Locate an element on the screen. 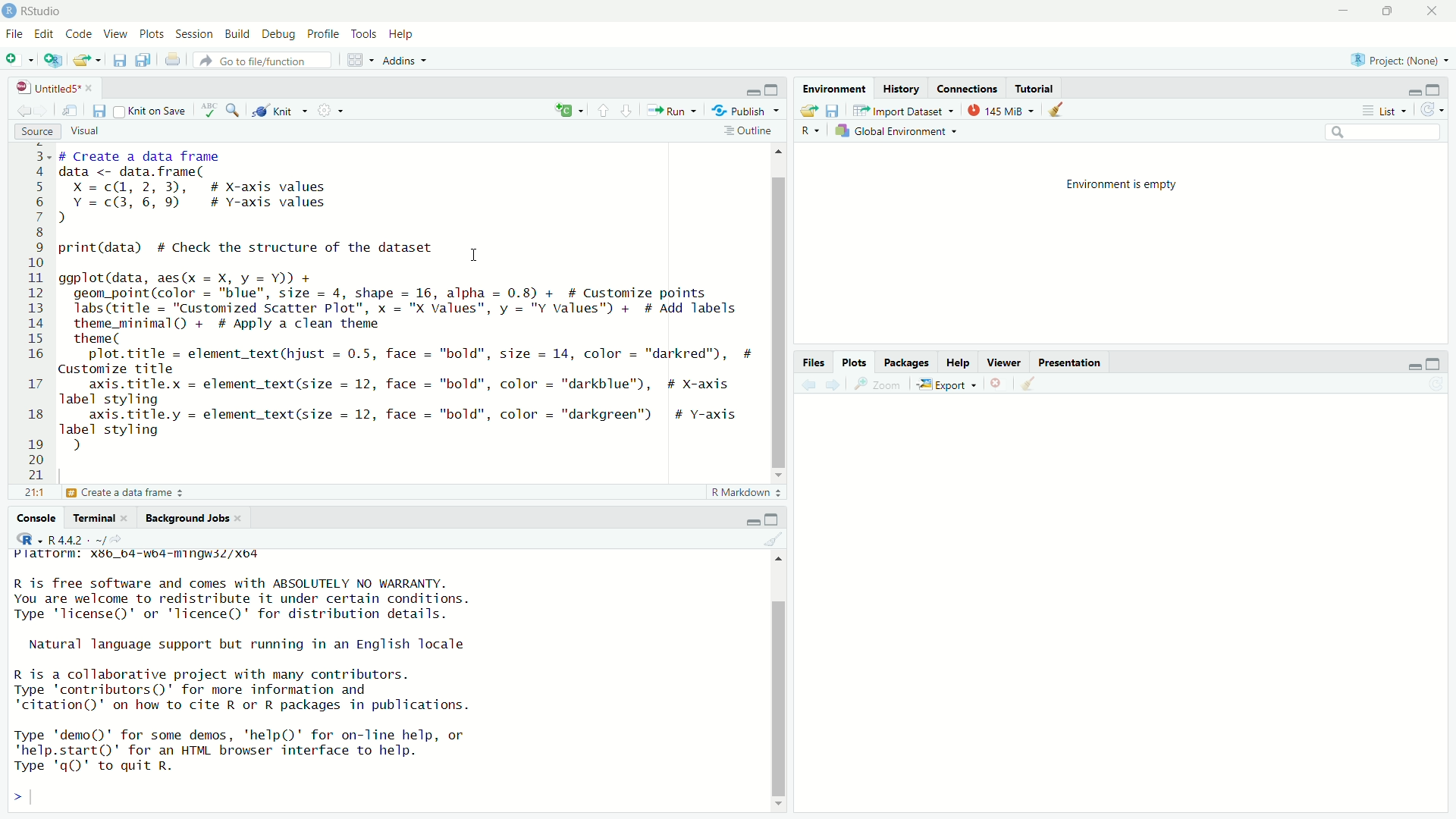 The height and width of the screenshot is (819, 1456). Knit on save is located at coordinates (151, 112).